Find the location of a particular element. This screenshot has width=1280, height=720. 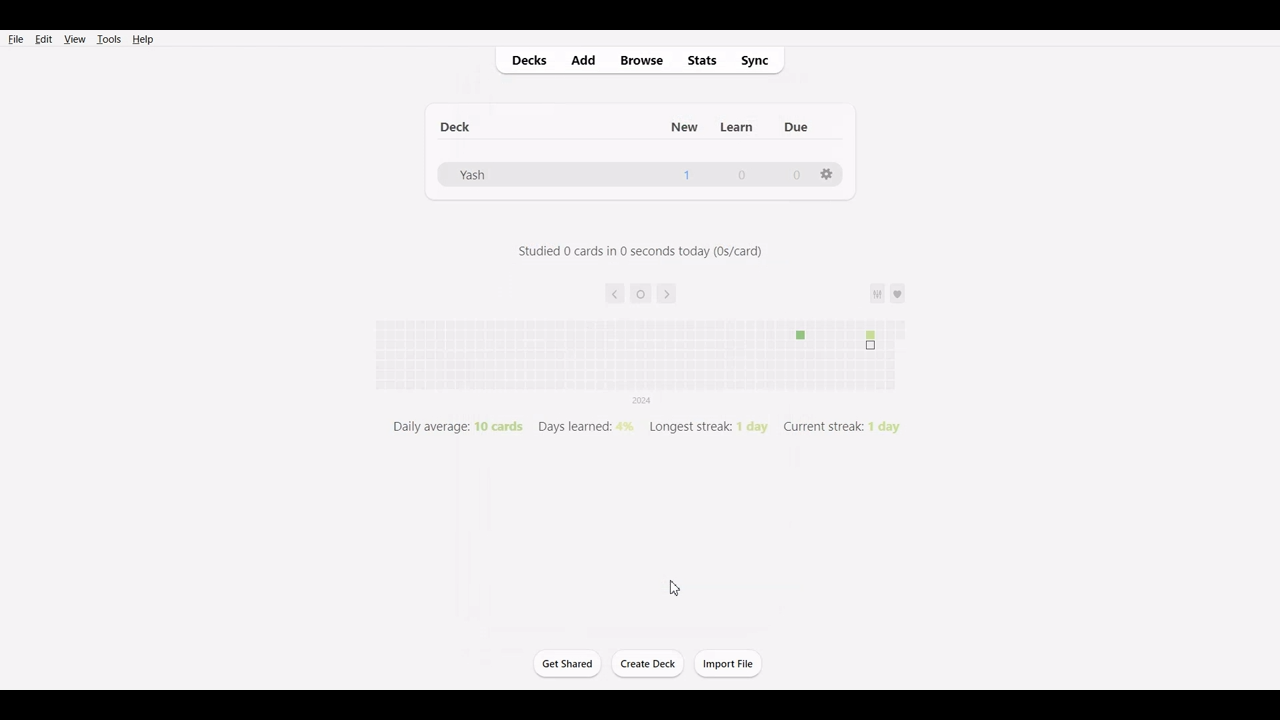

file revies is located at coordinates (627, 344).